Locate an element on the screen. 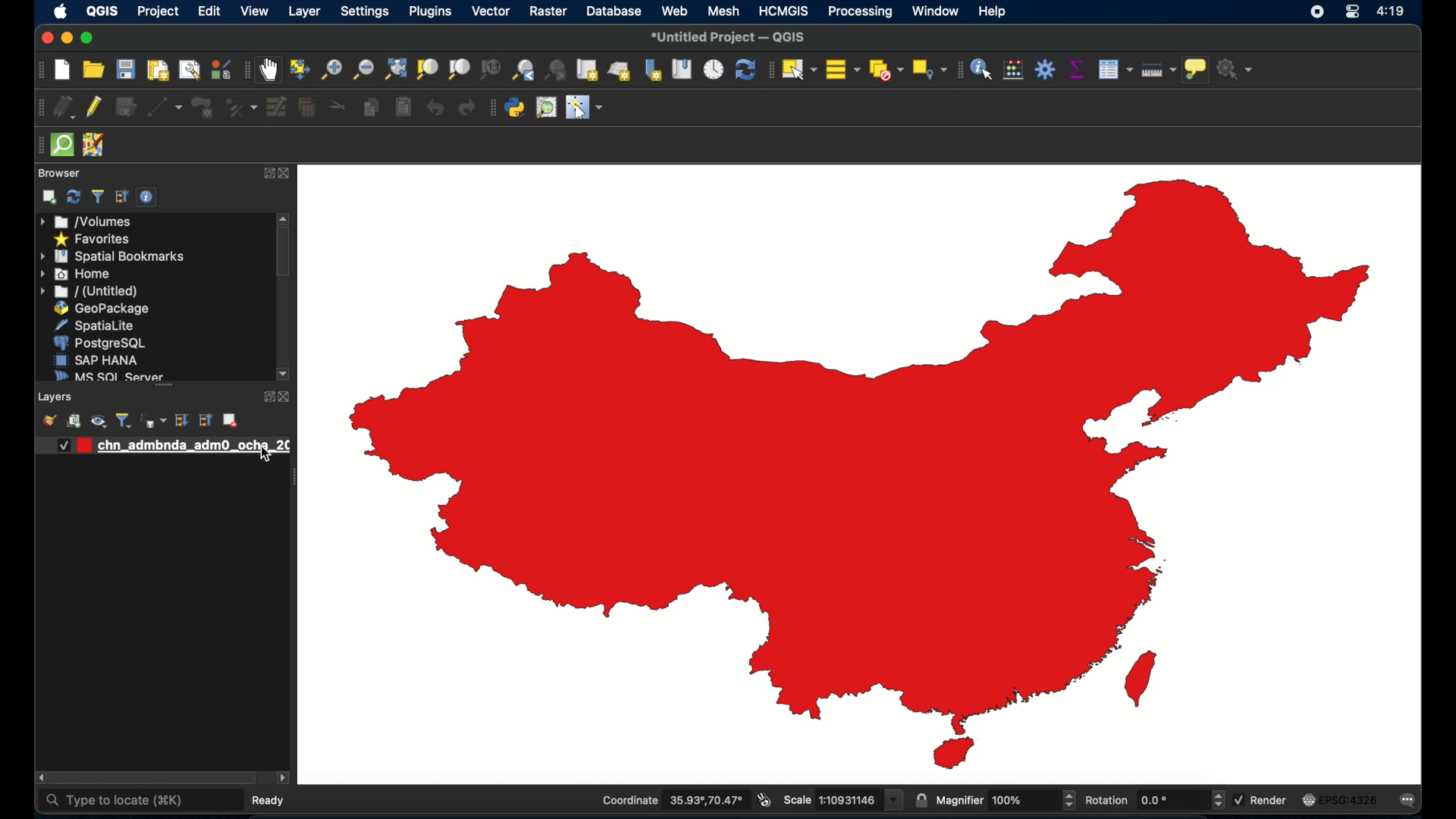 This screenshot has width=1456, height=819. Checkbox  is located at coordinates (61, 445).